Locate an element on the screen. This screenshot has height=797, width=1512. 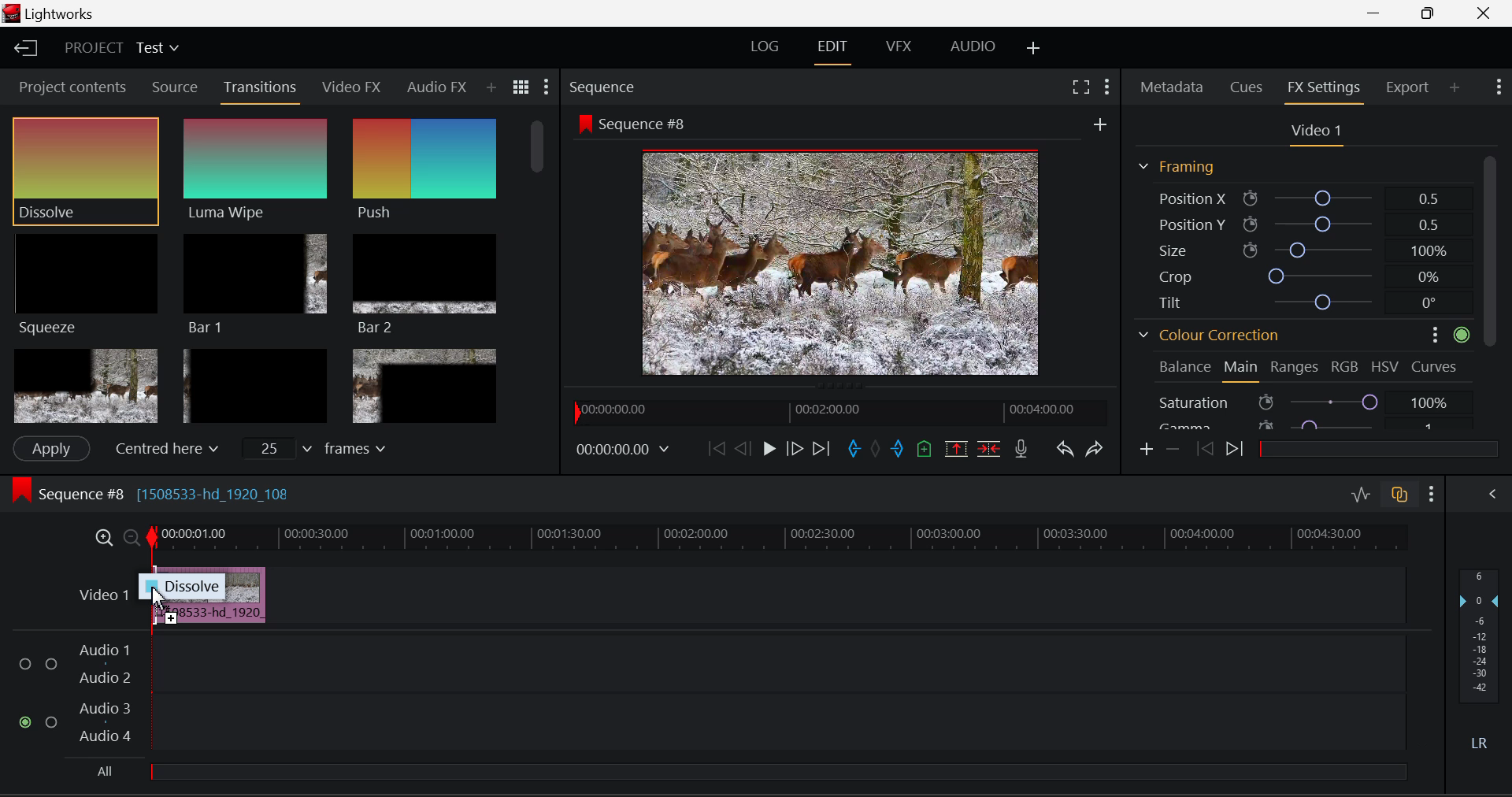
Saturation 100% is located at coordinates (1313, 398).